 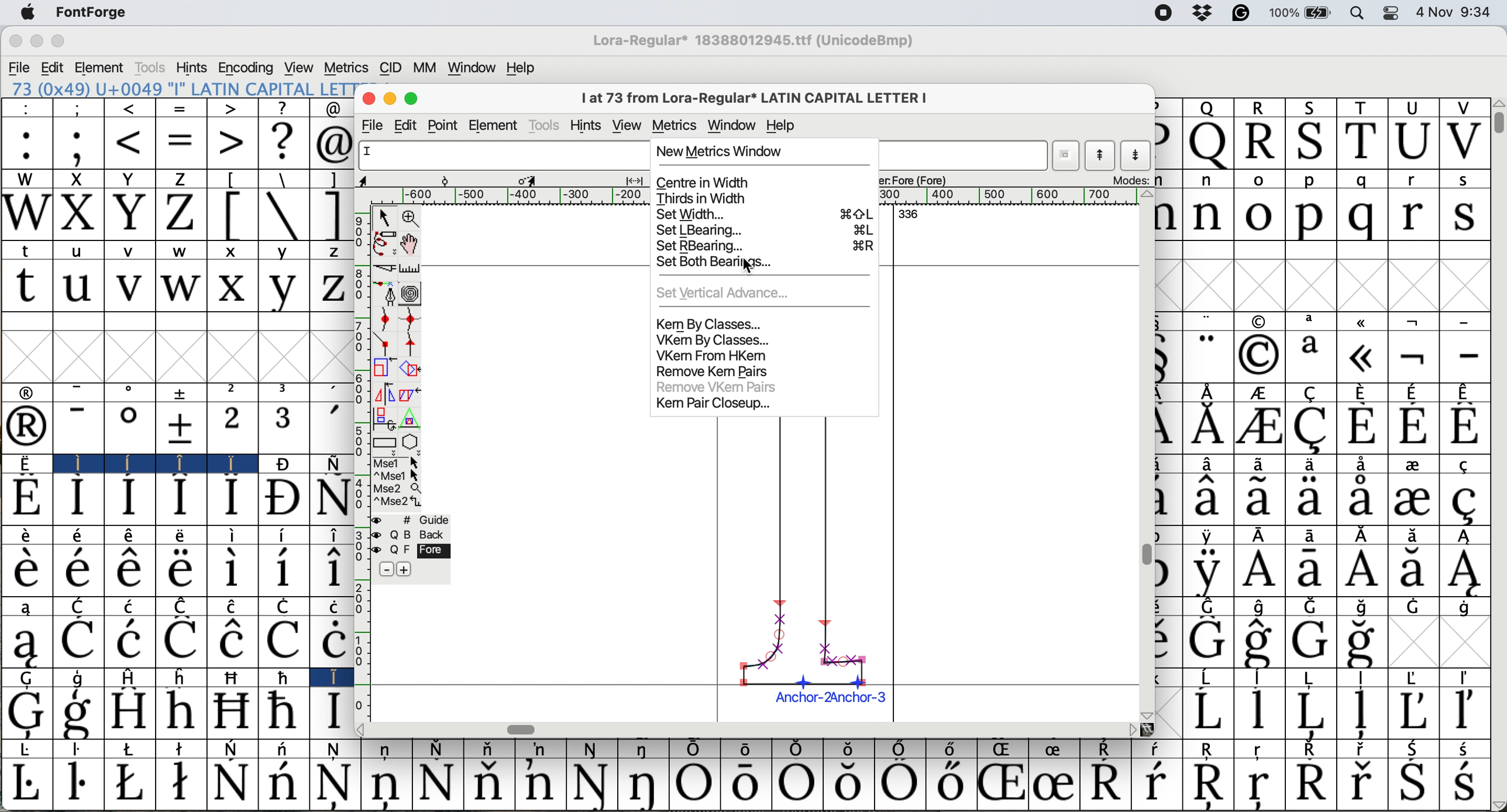 I want to click on vkem by classes, so click(x=710, y=339).